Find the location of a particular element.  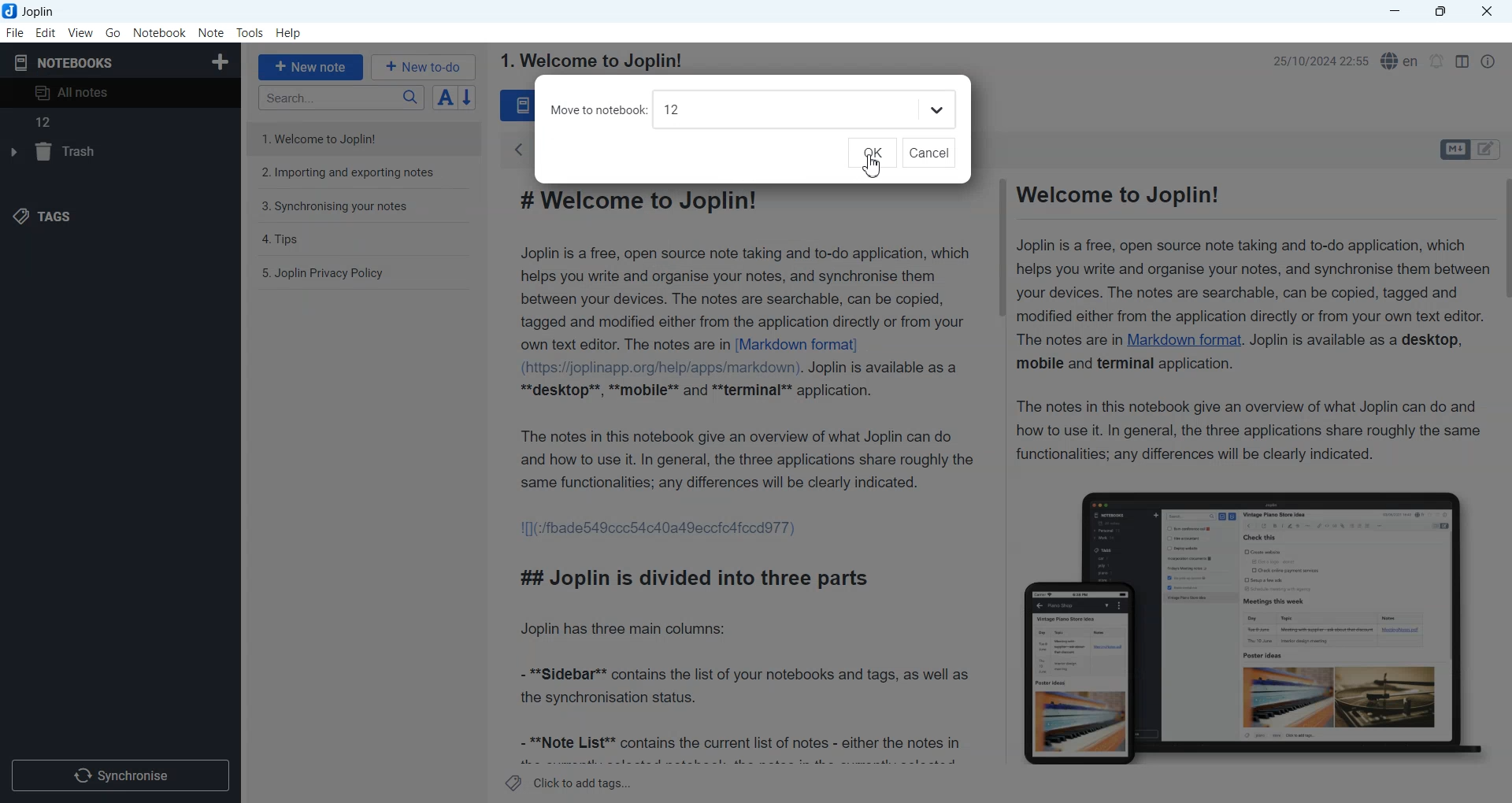

Note is located at coordinates (210, 33).